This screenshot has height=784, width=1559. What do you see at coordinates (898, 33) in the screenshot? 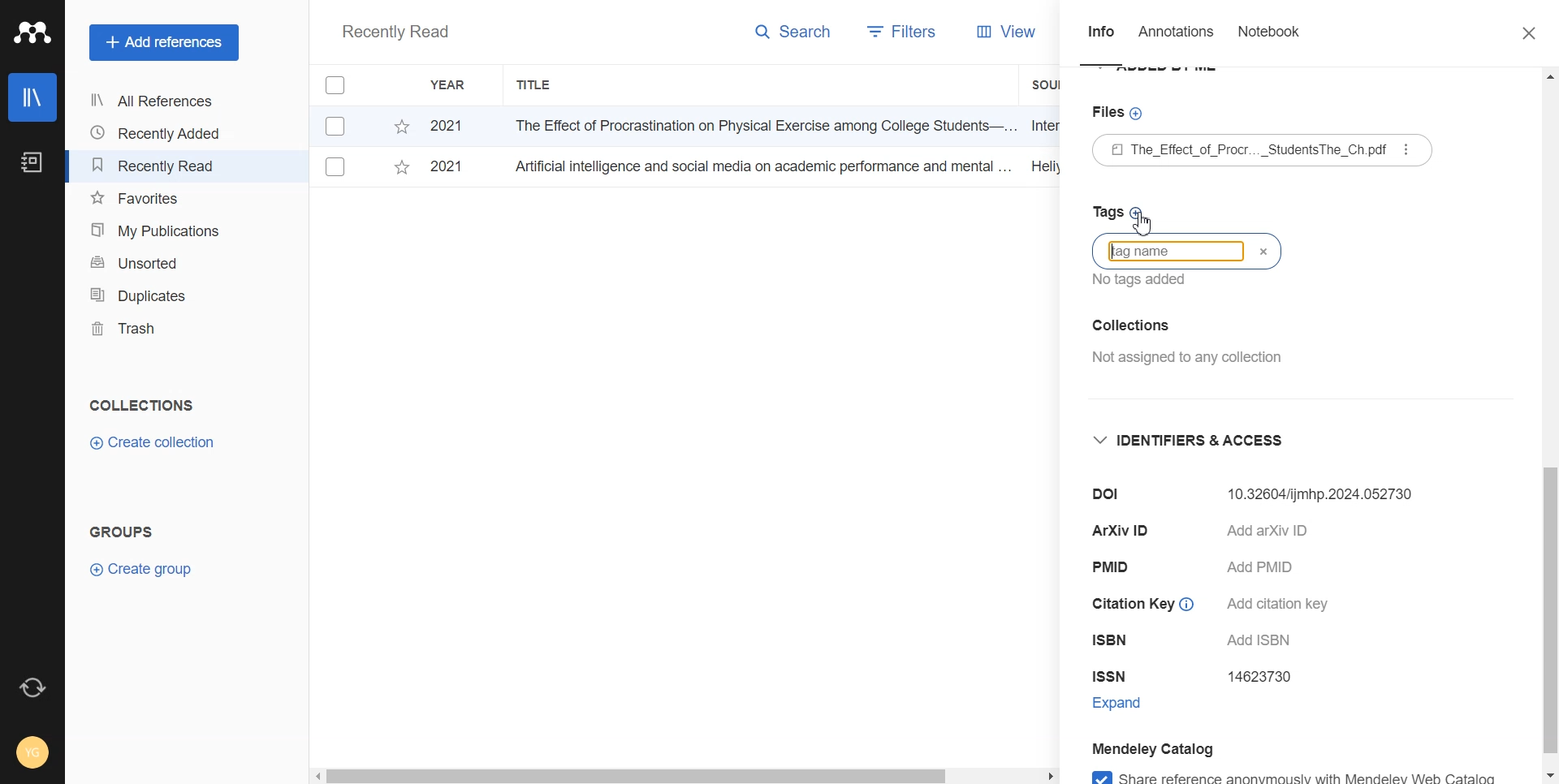
I see `Filters` at bounding box center [898, 33].